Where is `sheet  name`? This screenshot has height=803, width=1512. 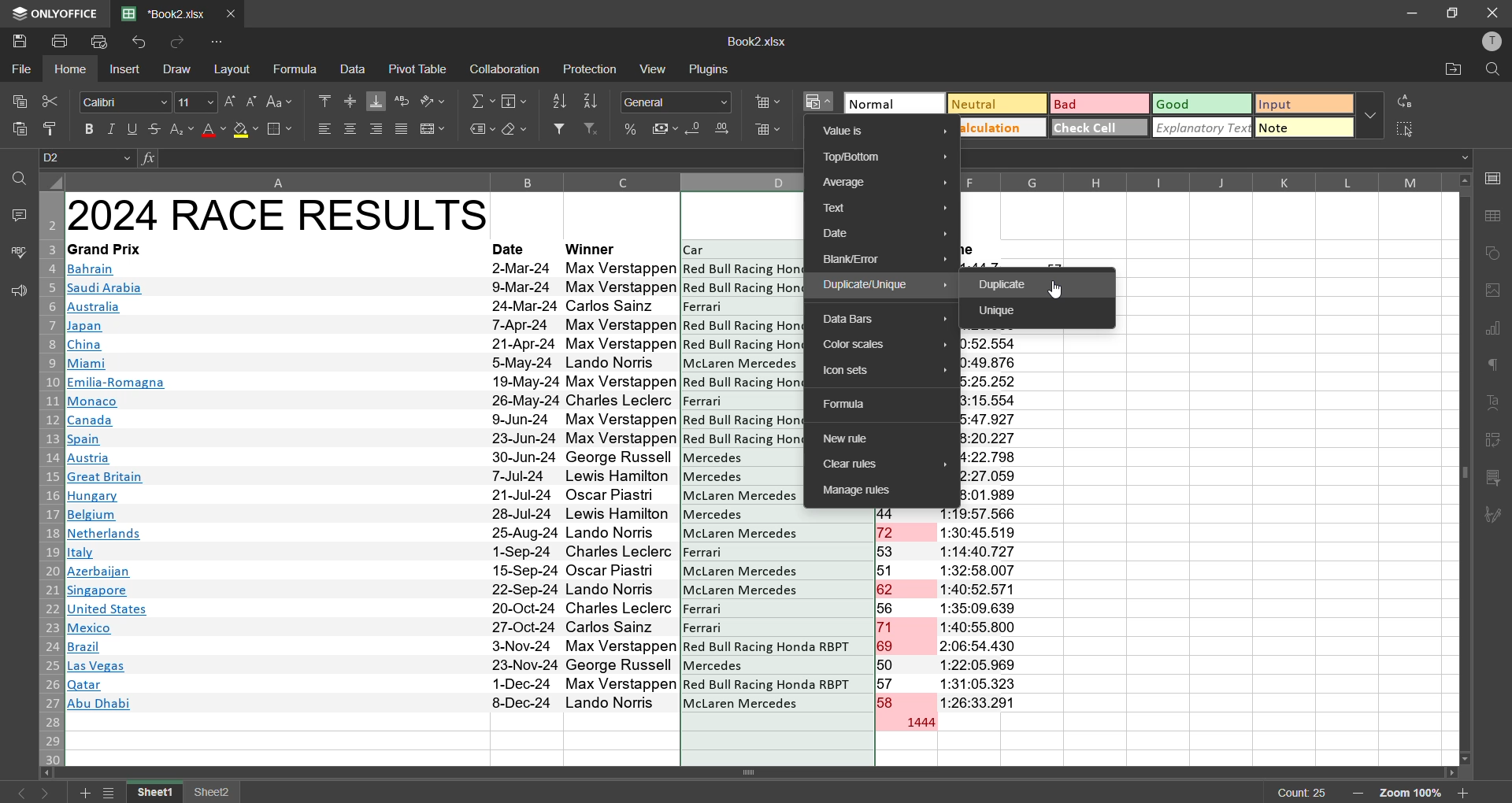
sheet  name is located at coordinates (157, 793).